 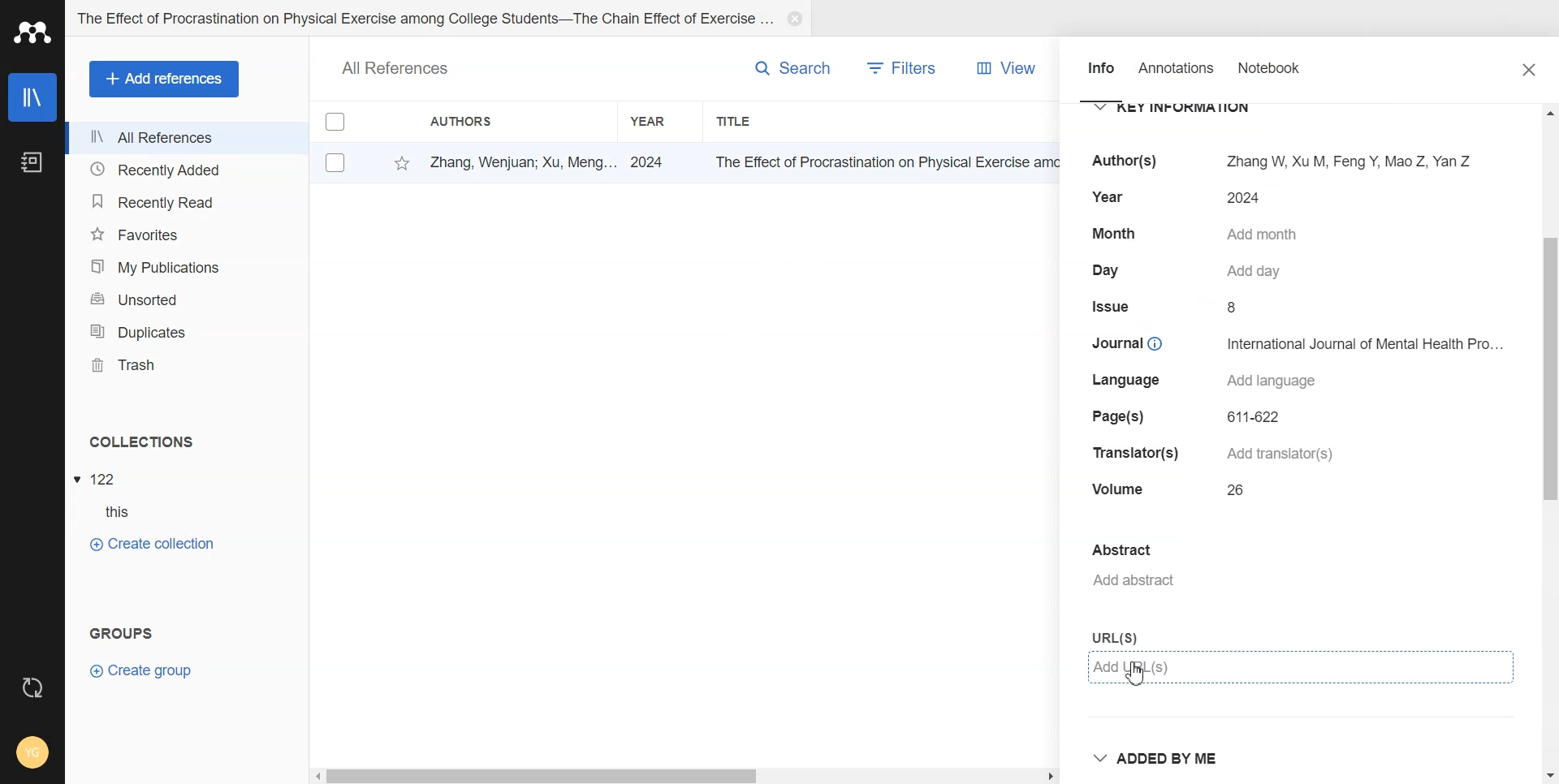 What do you see at coordinates (152, 544) in the screenshot?
I see `Create Collection` at bounding box center [152, 544].